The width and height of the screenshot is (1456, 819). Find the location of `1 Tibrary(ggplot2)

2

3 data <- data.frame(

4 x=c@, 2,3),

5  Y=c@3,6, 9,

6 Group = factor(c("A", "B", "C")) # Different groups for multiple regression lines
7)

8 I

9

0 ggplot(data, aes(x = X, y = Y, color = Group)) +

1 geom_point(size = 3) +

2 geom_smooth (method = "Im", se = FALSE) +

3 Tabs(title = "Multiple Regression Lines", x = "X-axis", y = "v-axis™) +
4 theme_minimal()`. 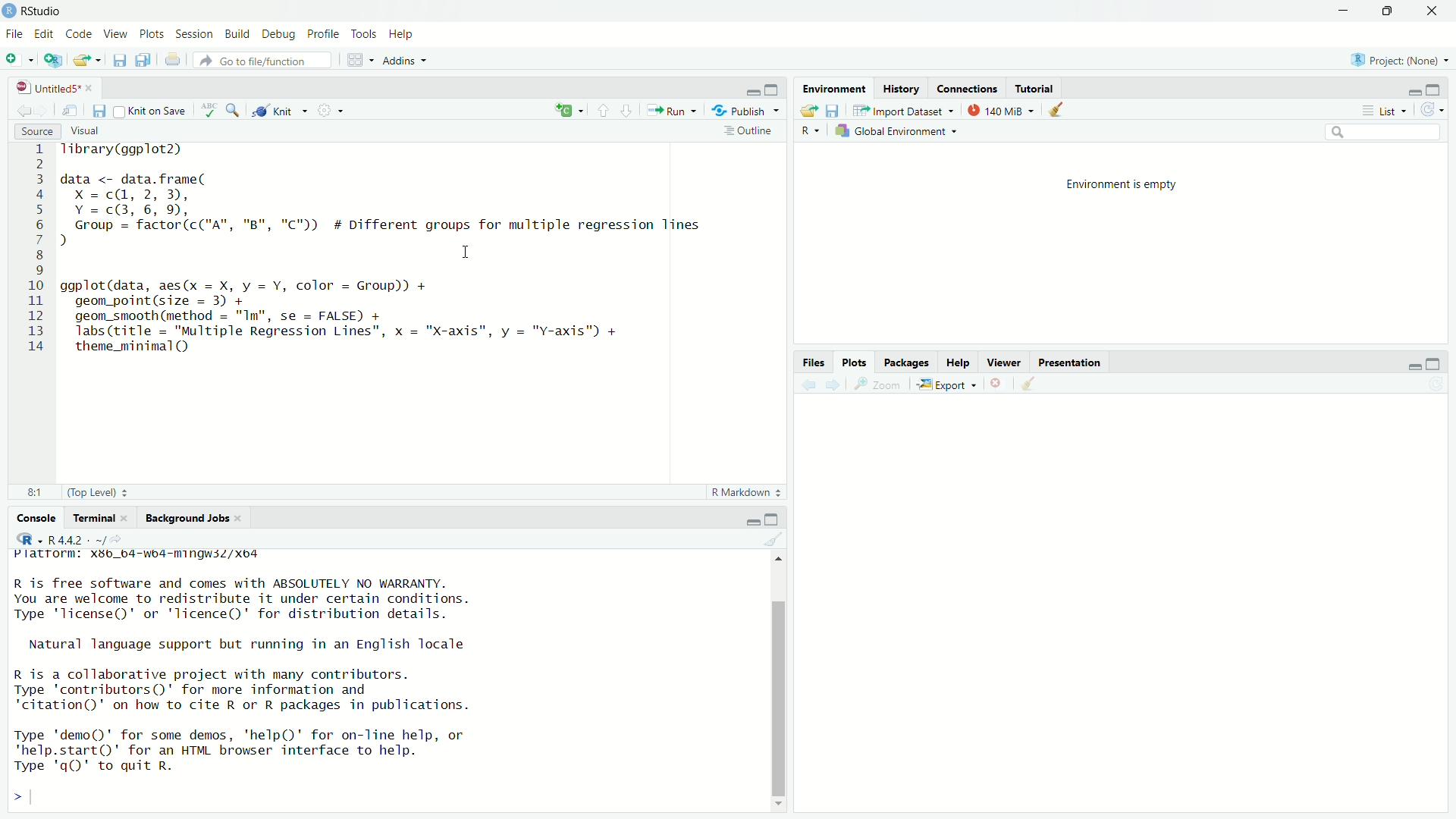

1 Tibrary(ggplot2)

2

3 data <- data.frame(

4 x=c@, 2,3),

5  Y=c@3,6, 9,

6 Group = factor(c("A", "B", "C")) # Different groups for multiple regression lines
7)

8 I

9

0 ggplot(data, aes(x = X, y = Y, color = Group)) +

1 geom_point(size = 3) +

2 geom_smooth (method = "Im", se = FALSE) +

3 Tabs(title = "Multiple Regression Lines", x = "X-axis", y = "v-axis™) +
4 theme_minimal() is located at coordinates (354, 256).